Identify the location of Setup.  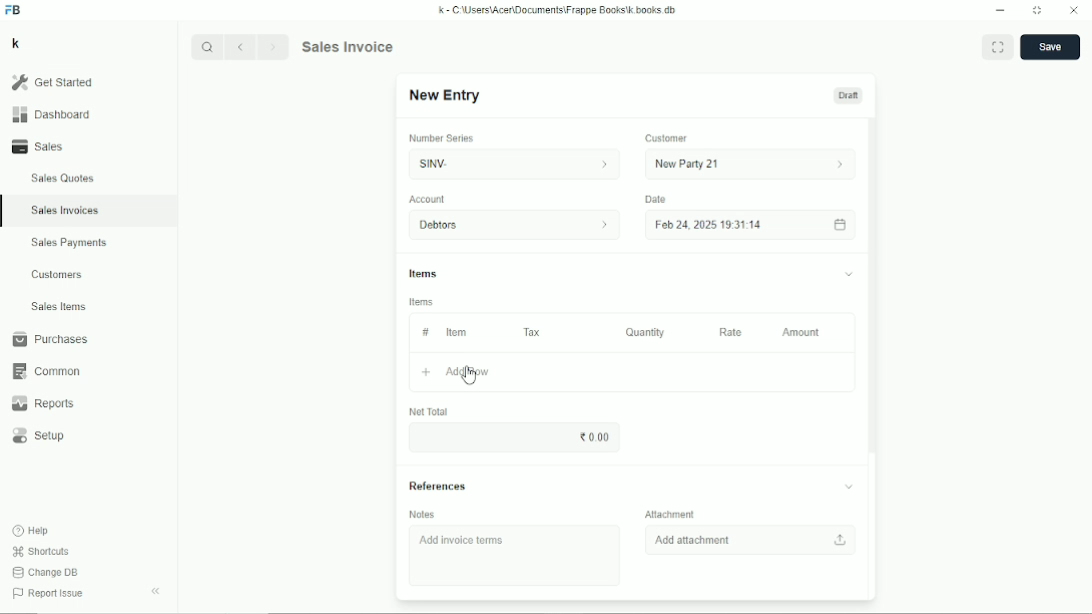
(41, 436).